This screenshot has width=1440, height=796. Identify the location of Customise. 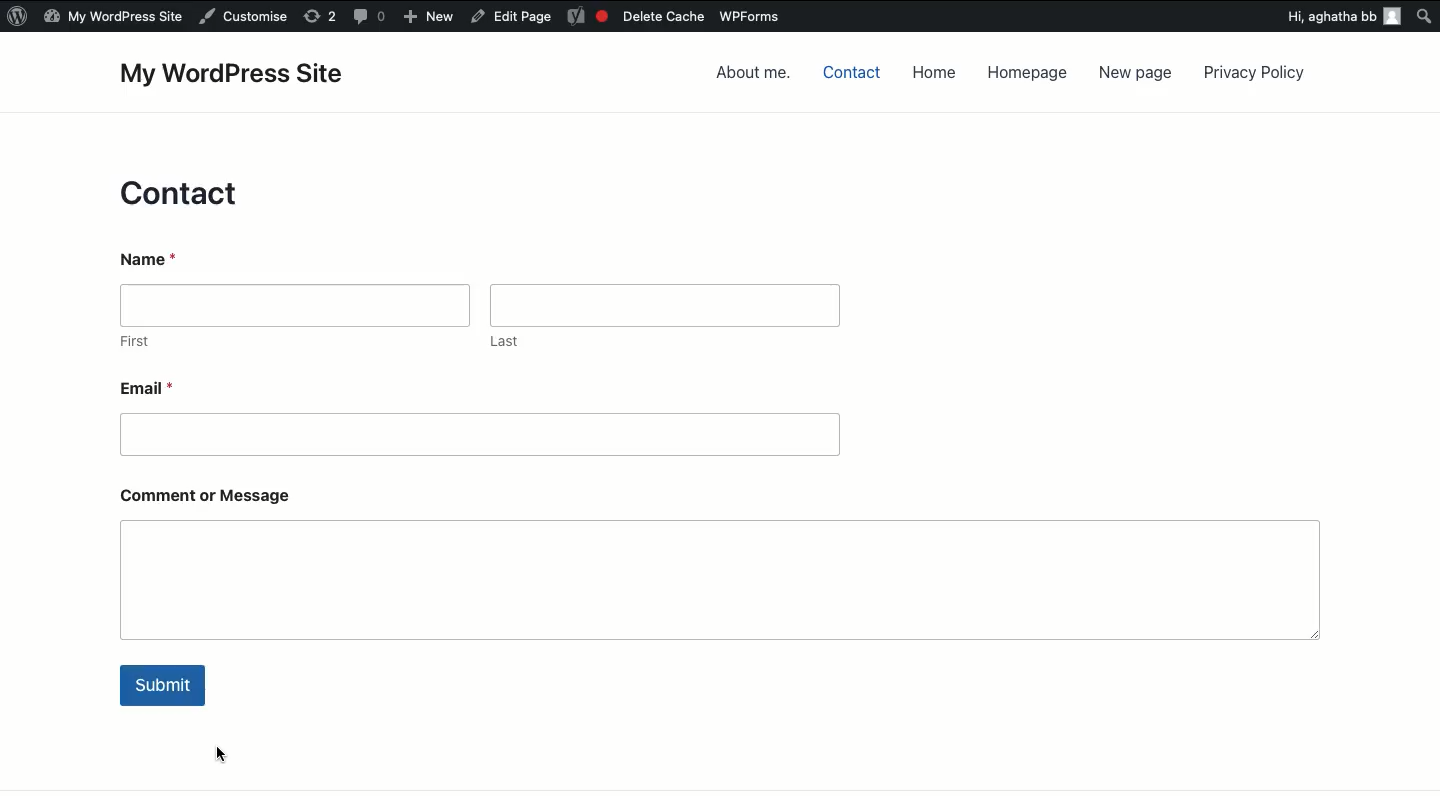
(241, 17).